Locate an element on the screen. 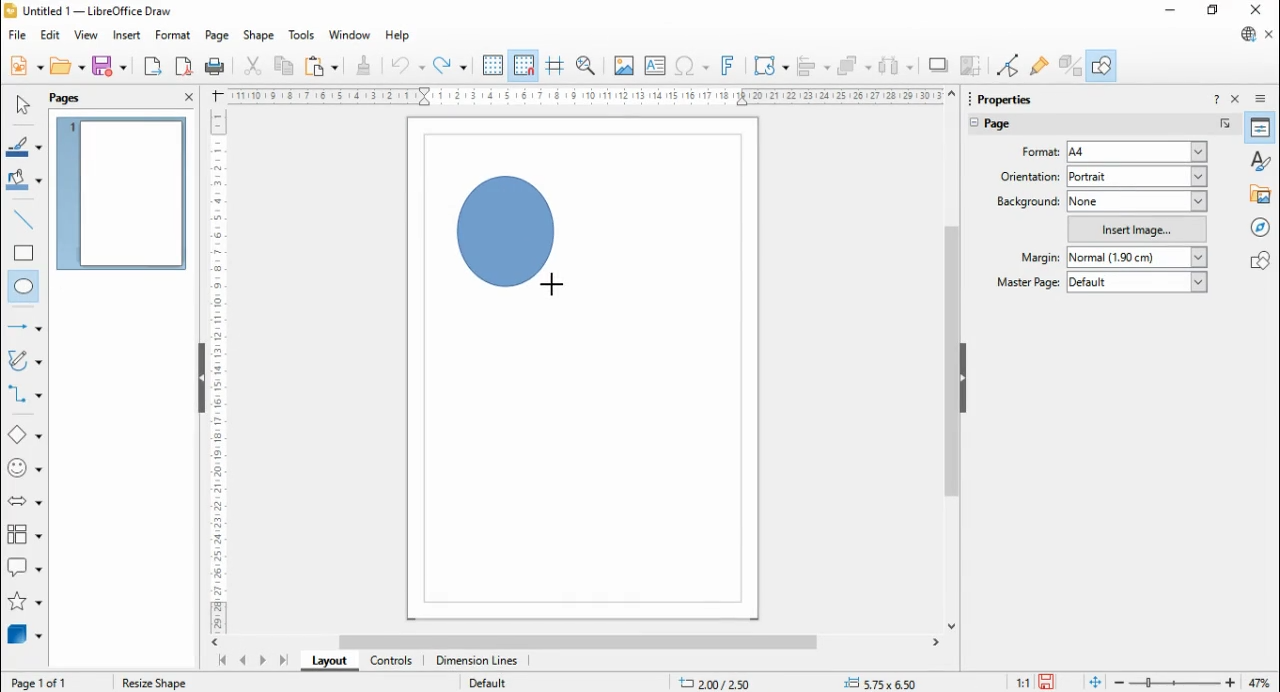 Image resolution: width=1280 pixels, height=692 pixels.  .11.58/ 13.41 is located at coordinates (719, 682).